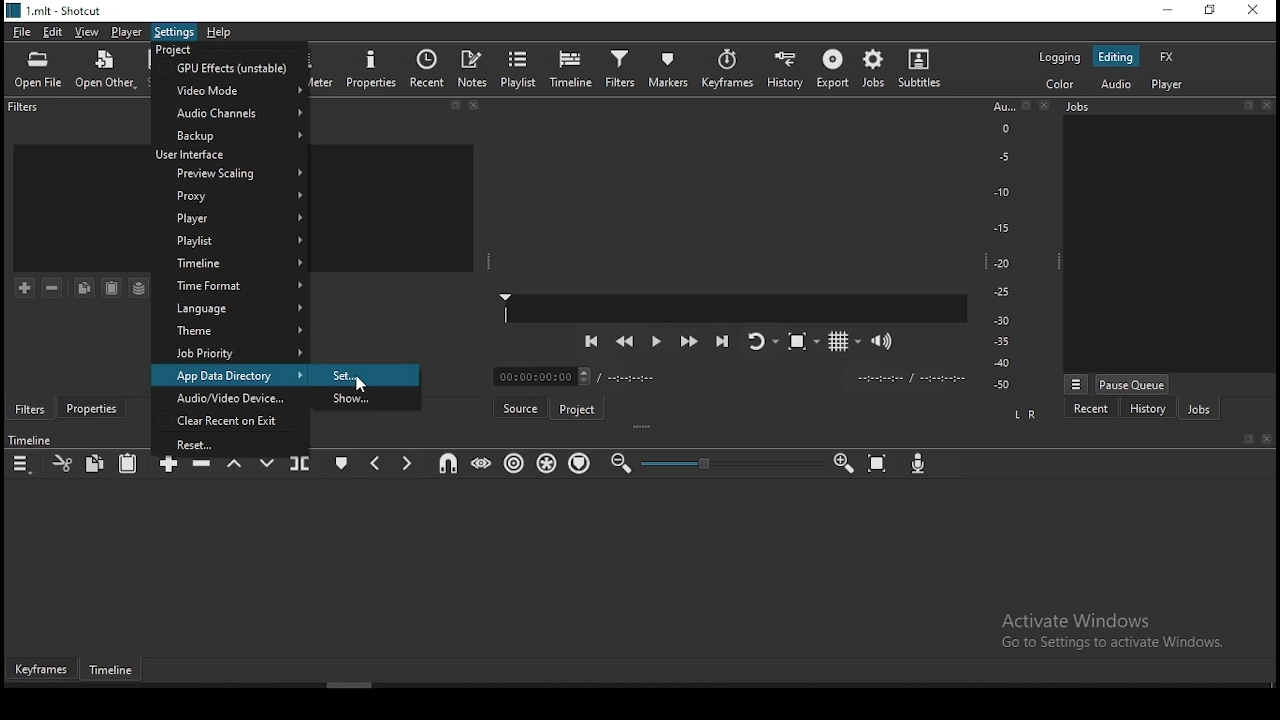 Image resolution: width=1280 pixels, height=720 pixels. What do you see at coordinates (478, 108) in the screenshot?
I see `close` at bounding box center [478, 108].